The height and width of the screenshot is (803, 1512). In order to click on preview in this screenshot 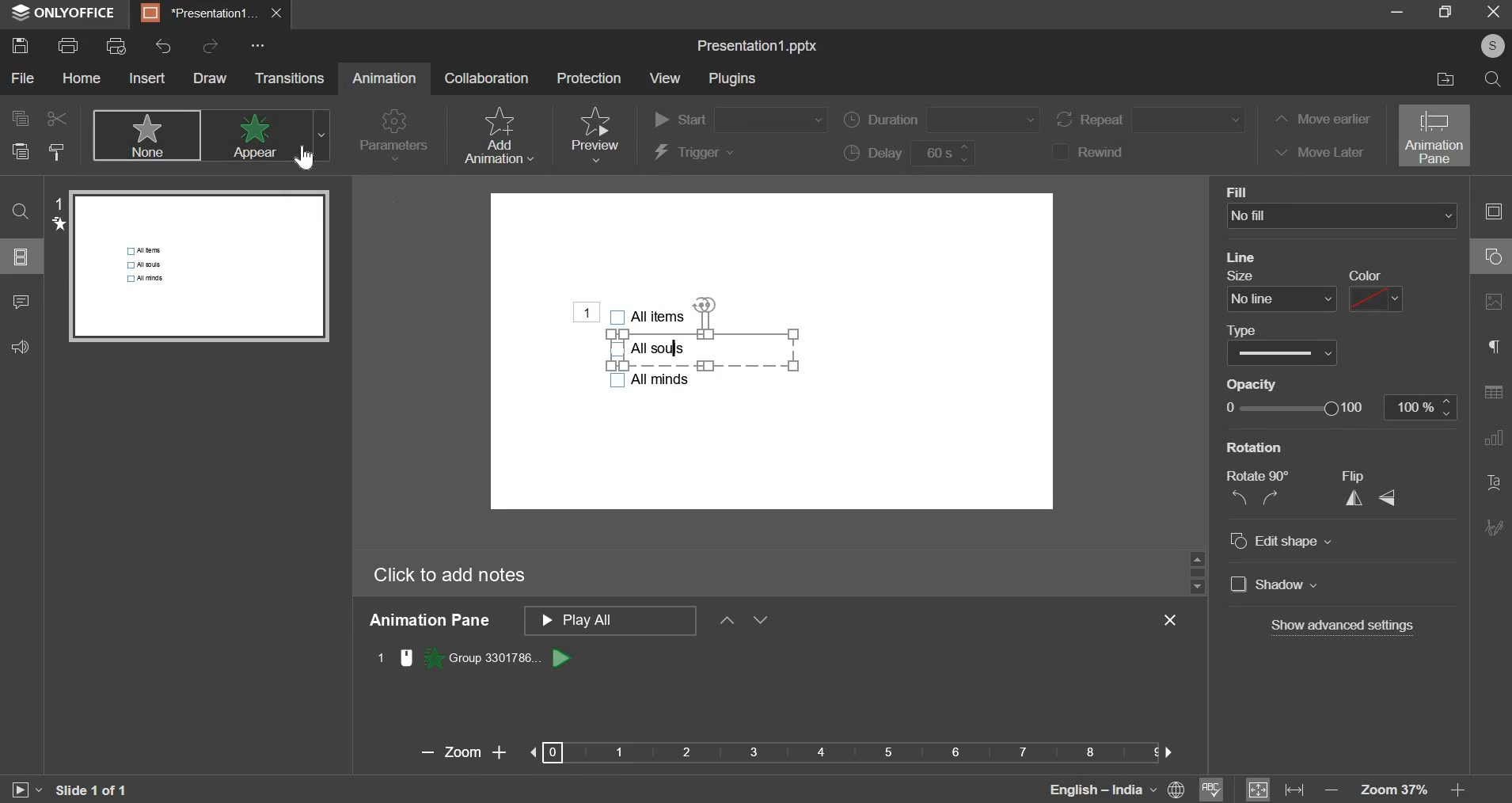, I will do `click(594, 134)`.